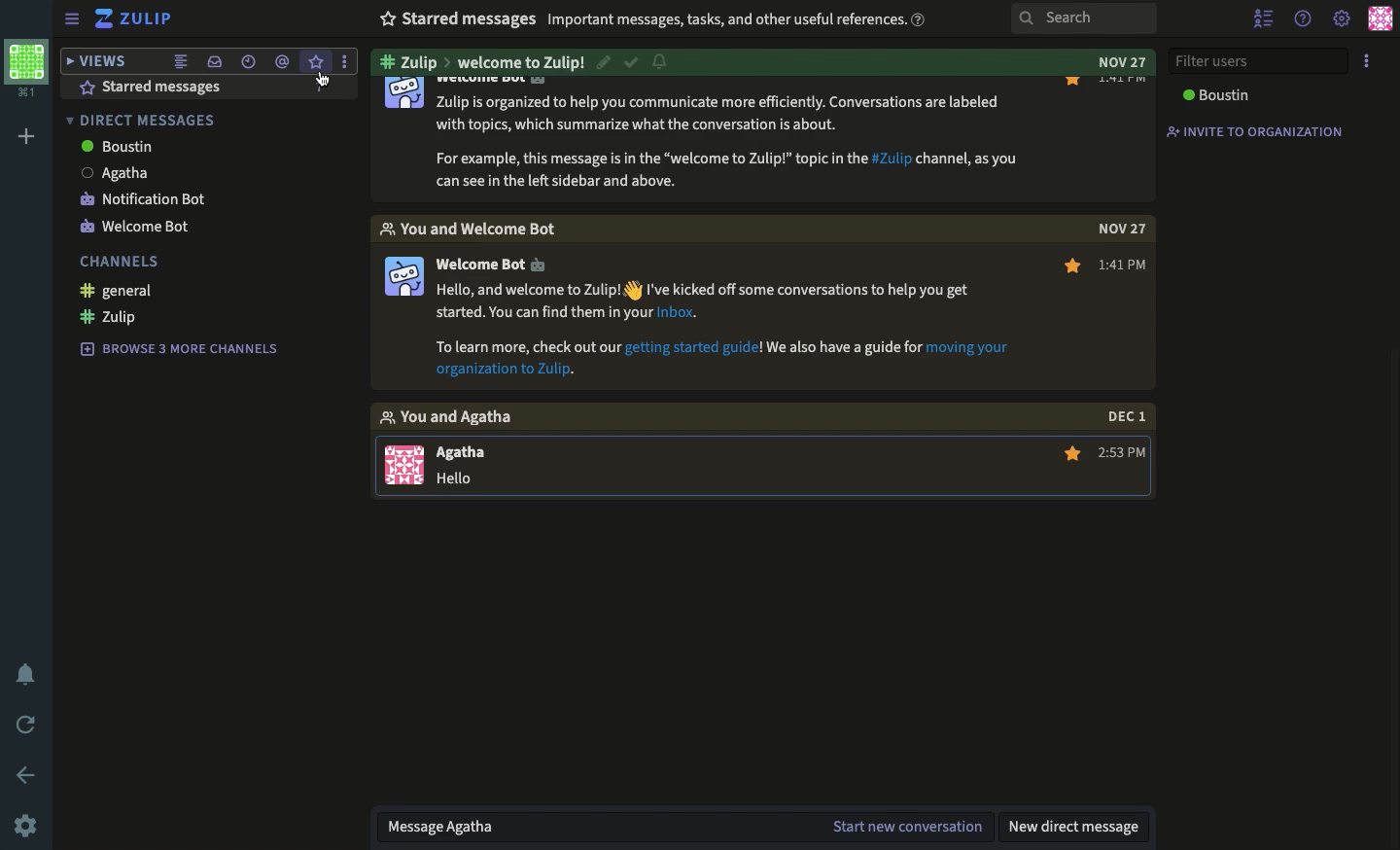  What do you see at coordinates (527, 348) in the screenshot?
I see `To learn more, check out our` at bounding box center [527, 348].